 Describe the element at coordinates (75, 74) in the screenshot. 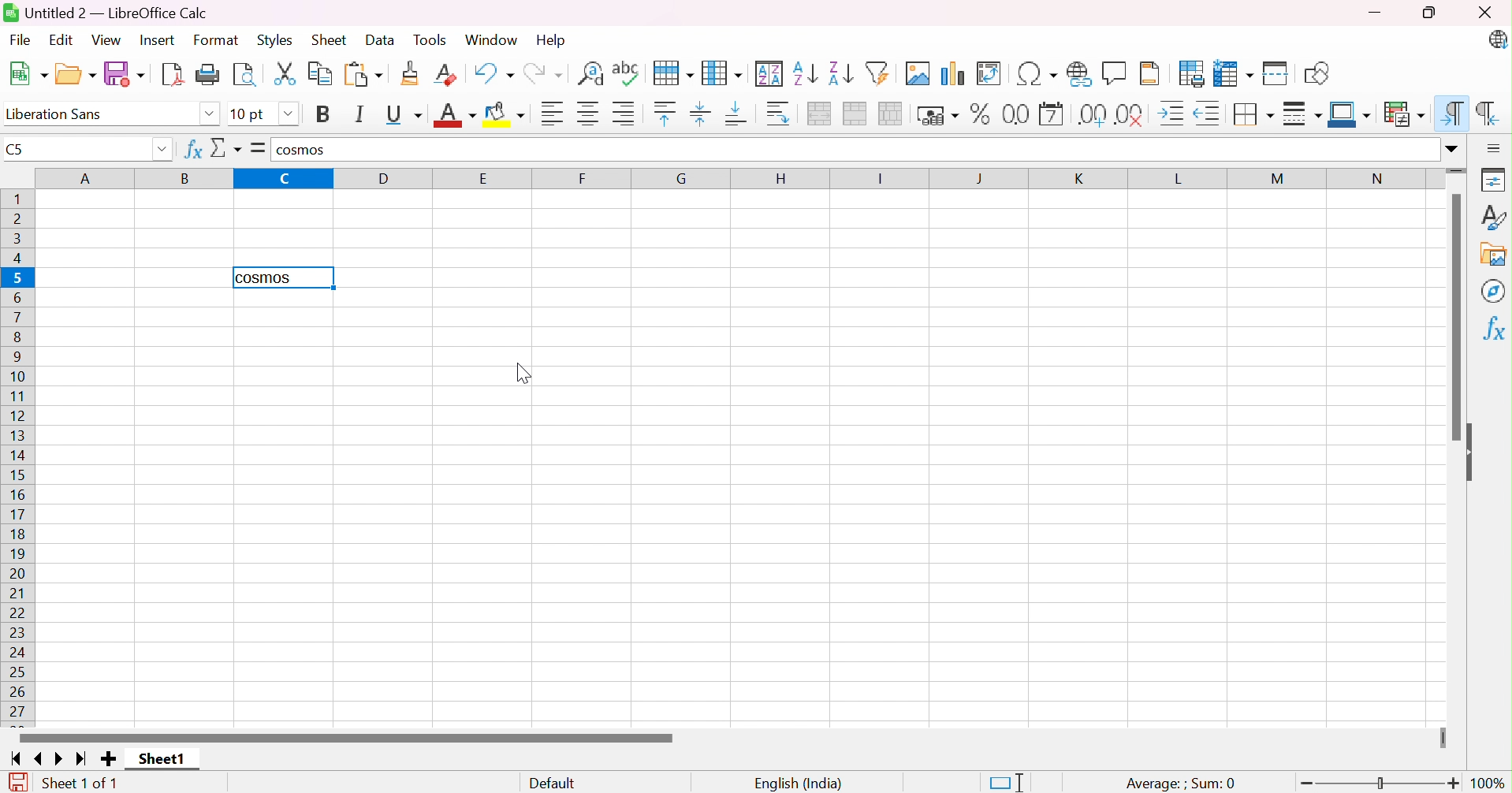

I see `Open` at that location.